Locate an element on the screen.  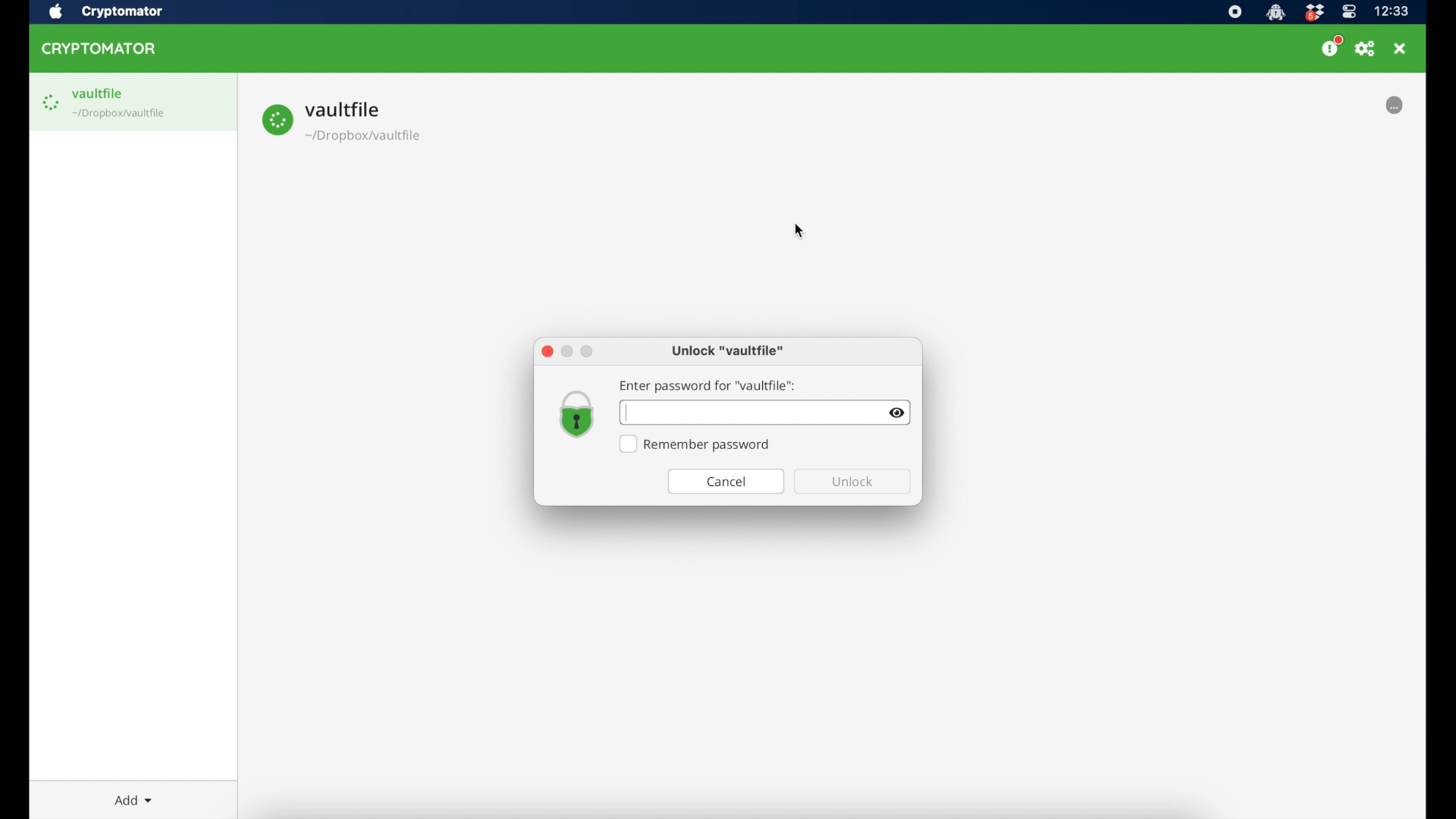
donate us is located at coordinates (1332, 46).